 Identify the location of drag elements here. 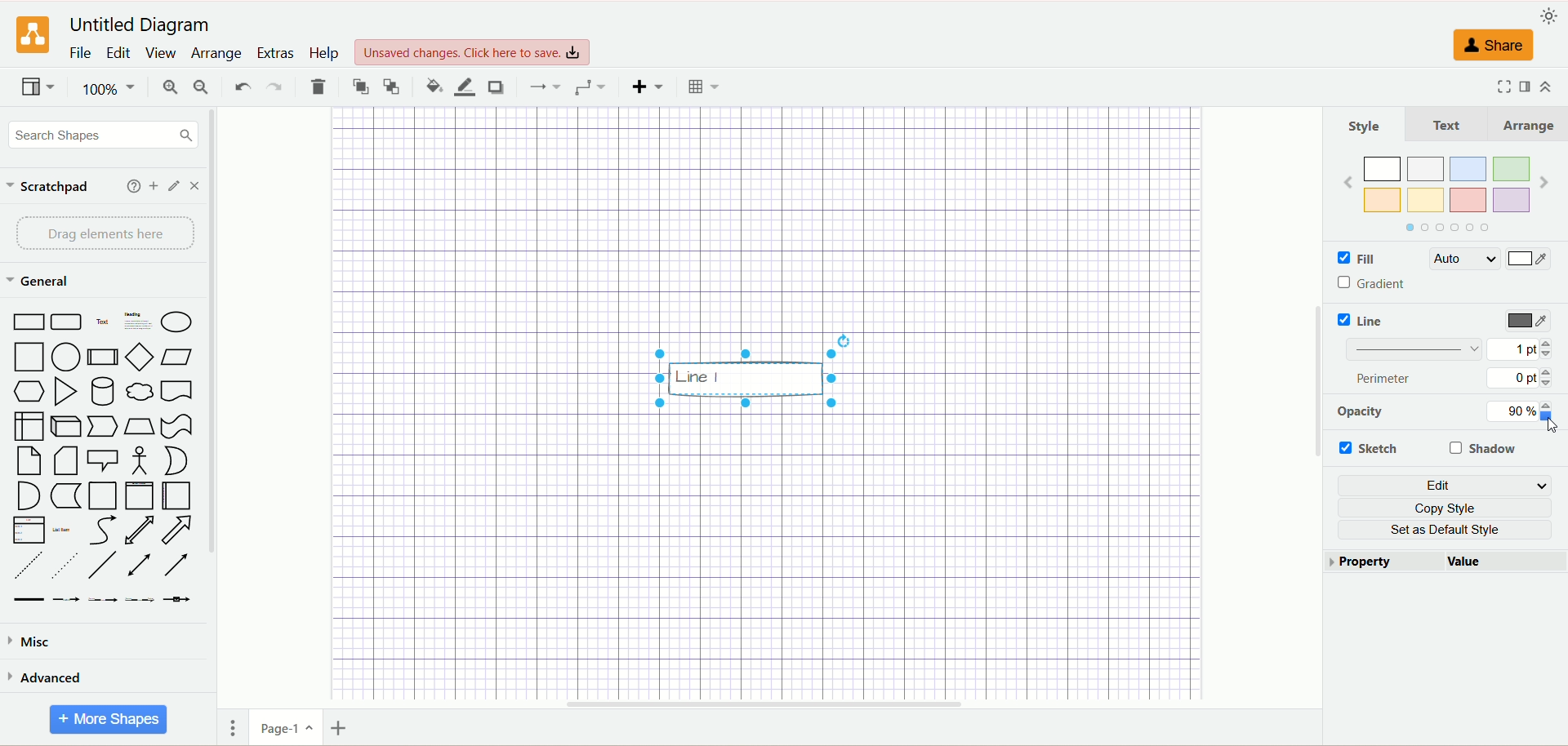
(105, 233).